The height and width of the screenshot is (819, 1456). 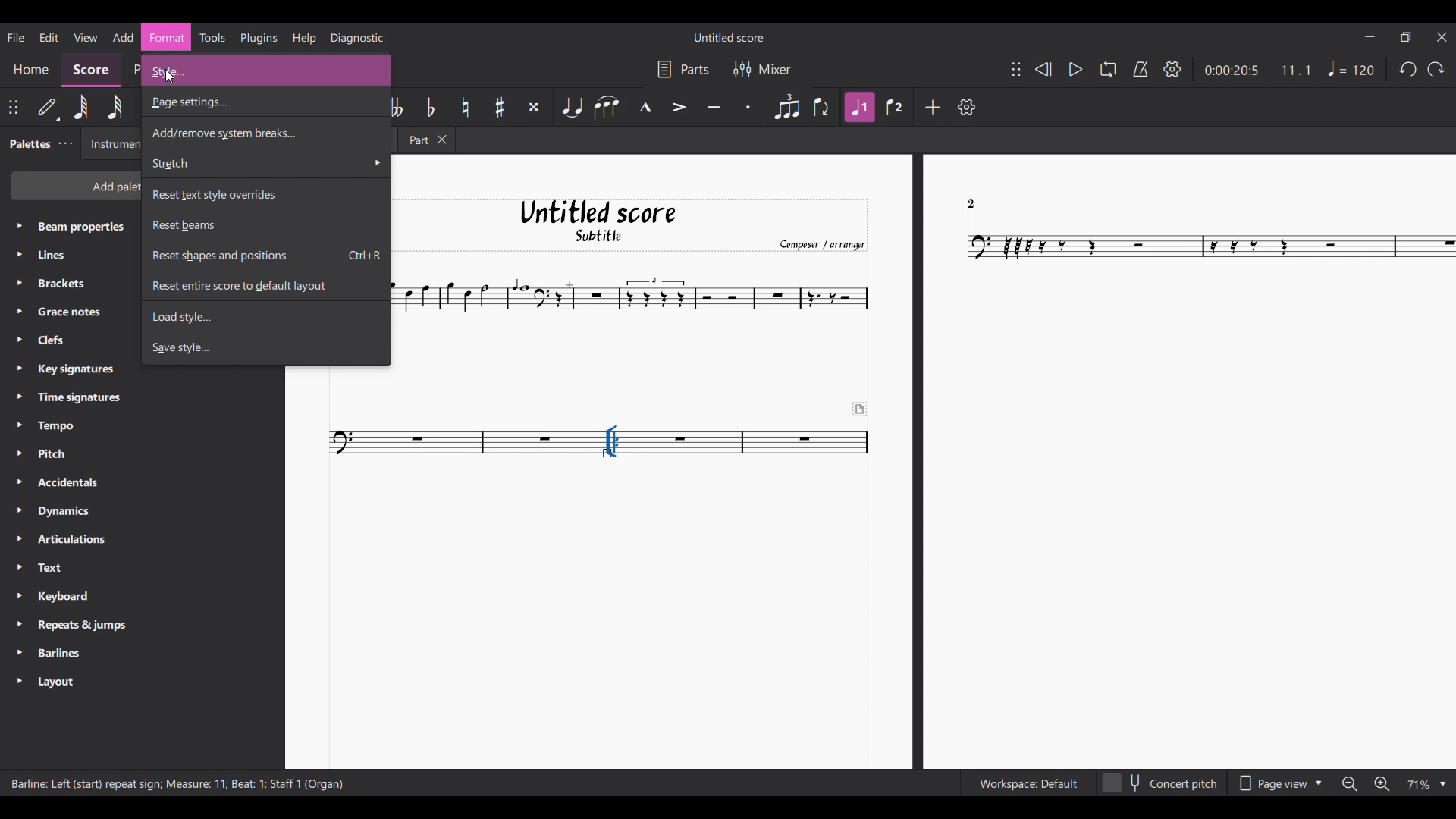 I want to click on Score title, so click(x=729, y=37).